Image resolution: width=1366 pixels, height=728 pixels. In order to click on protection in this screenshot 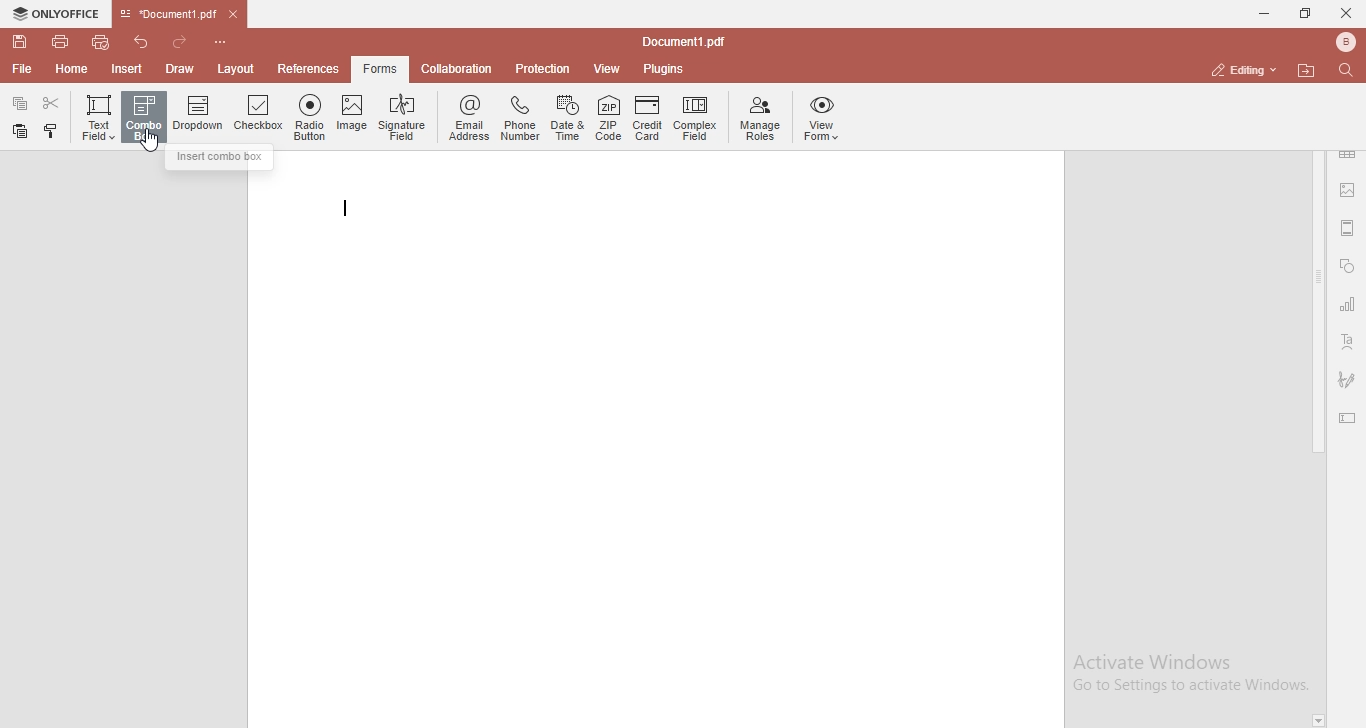, I will do `click(543, 68)`.